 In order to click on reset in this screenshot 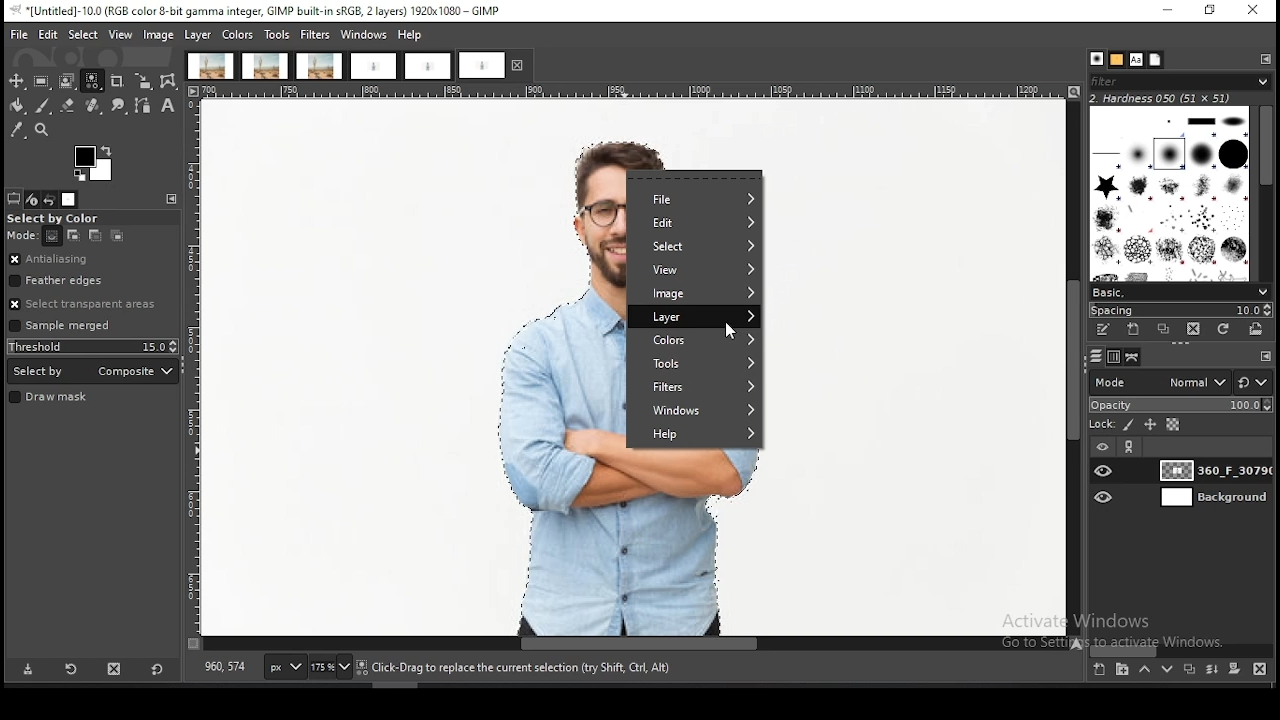, I will do `click(1254, 381)`.